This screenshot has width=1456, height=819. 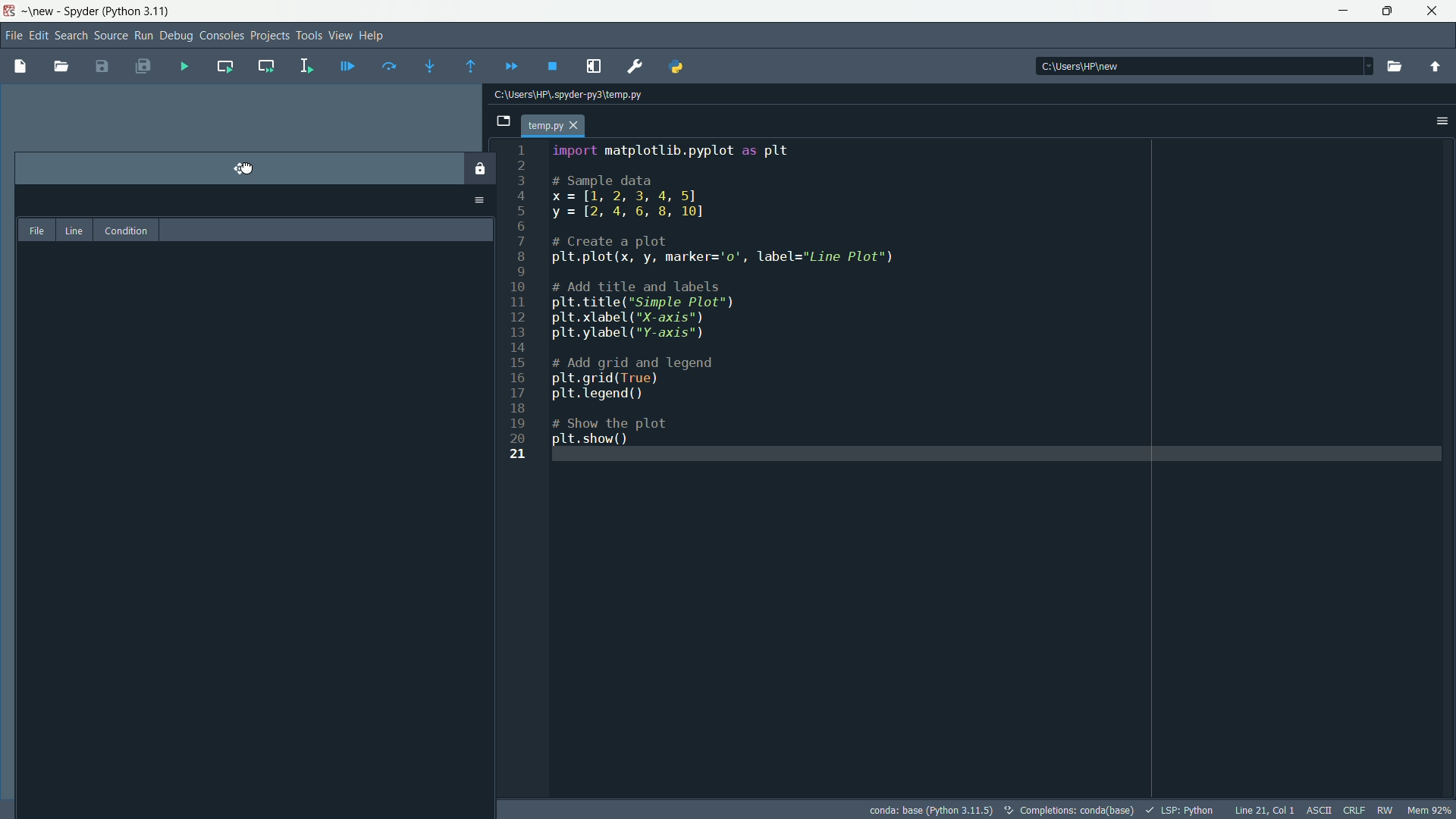 I want to click on save file, so click(x=102, y=67).